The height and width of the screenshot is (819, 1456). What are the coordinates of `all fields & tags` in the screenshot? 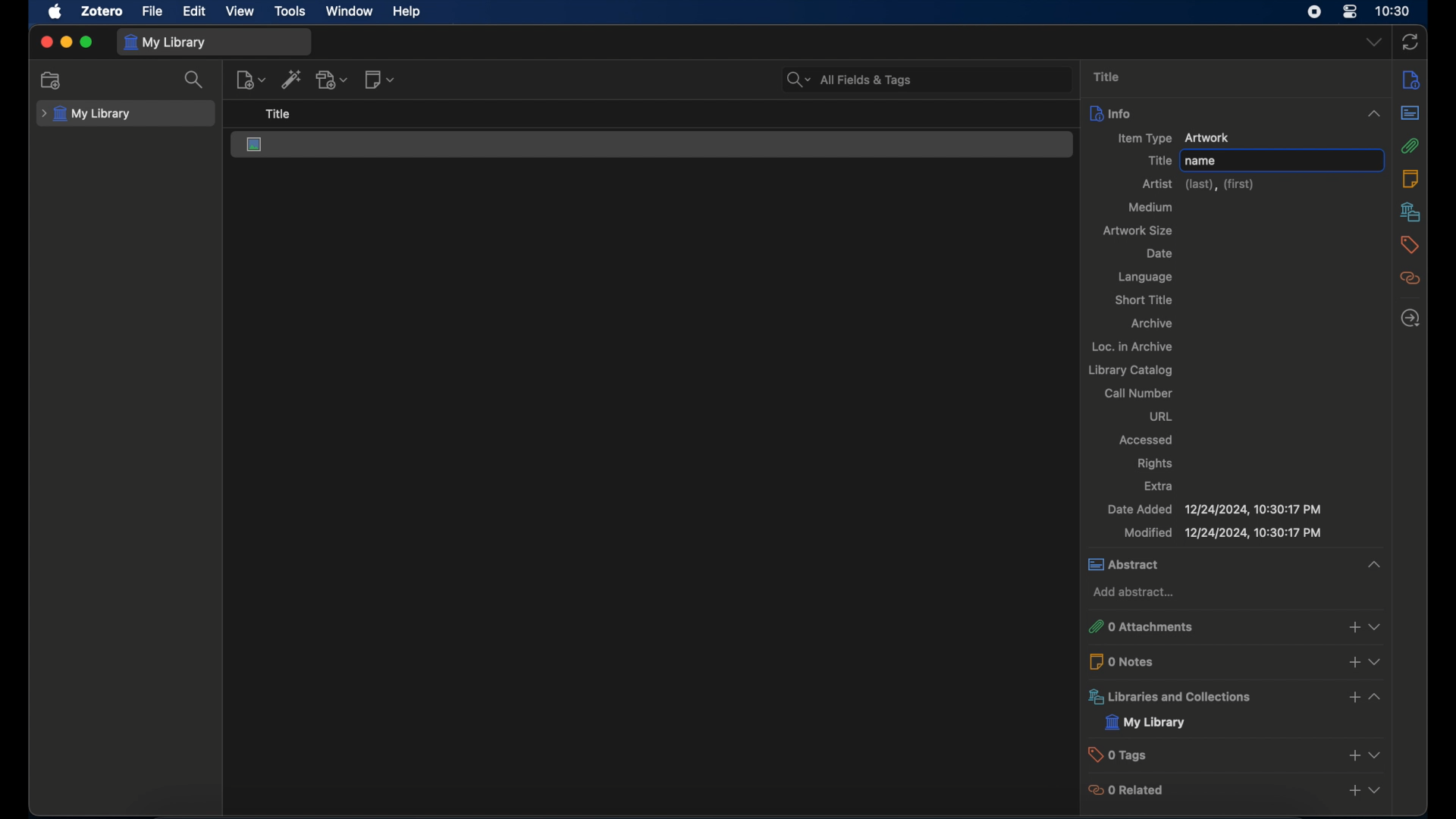 It's located at (849, 79).